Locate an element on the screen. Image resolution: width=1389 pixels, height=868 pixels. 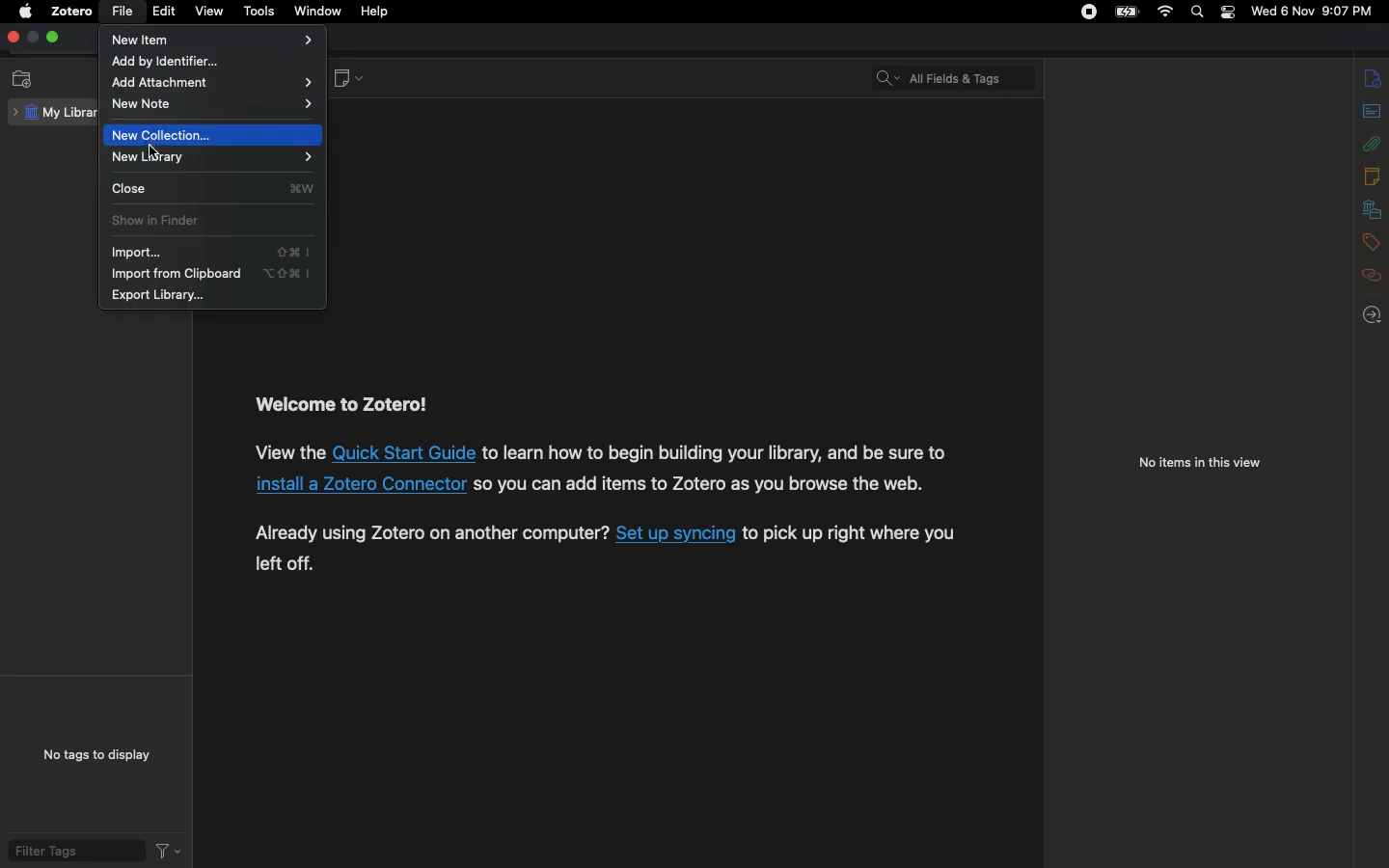
Add attachment is located at coordinates (214, 84).